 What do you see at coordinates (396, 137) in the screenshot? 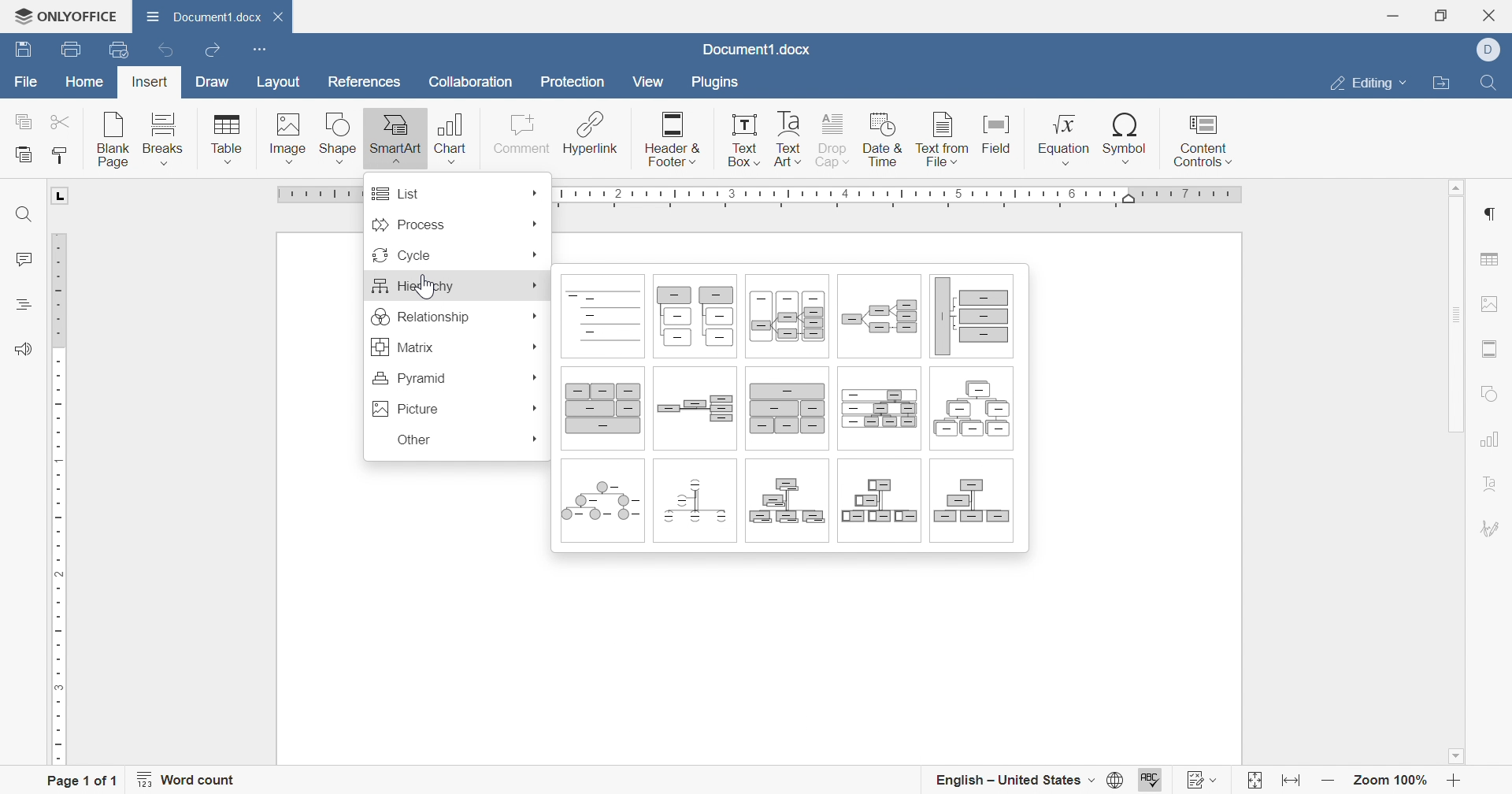
I see `SmartArt` at bounding box center [396, 137].